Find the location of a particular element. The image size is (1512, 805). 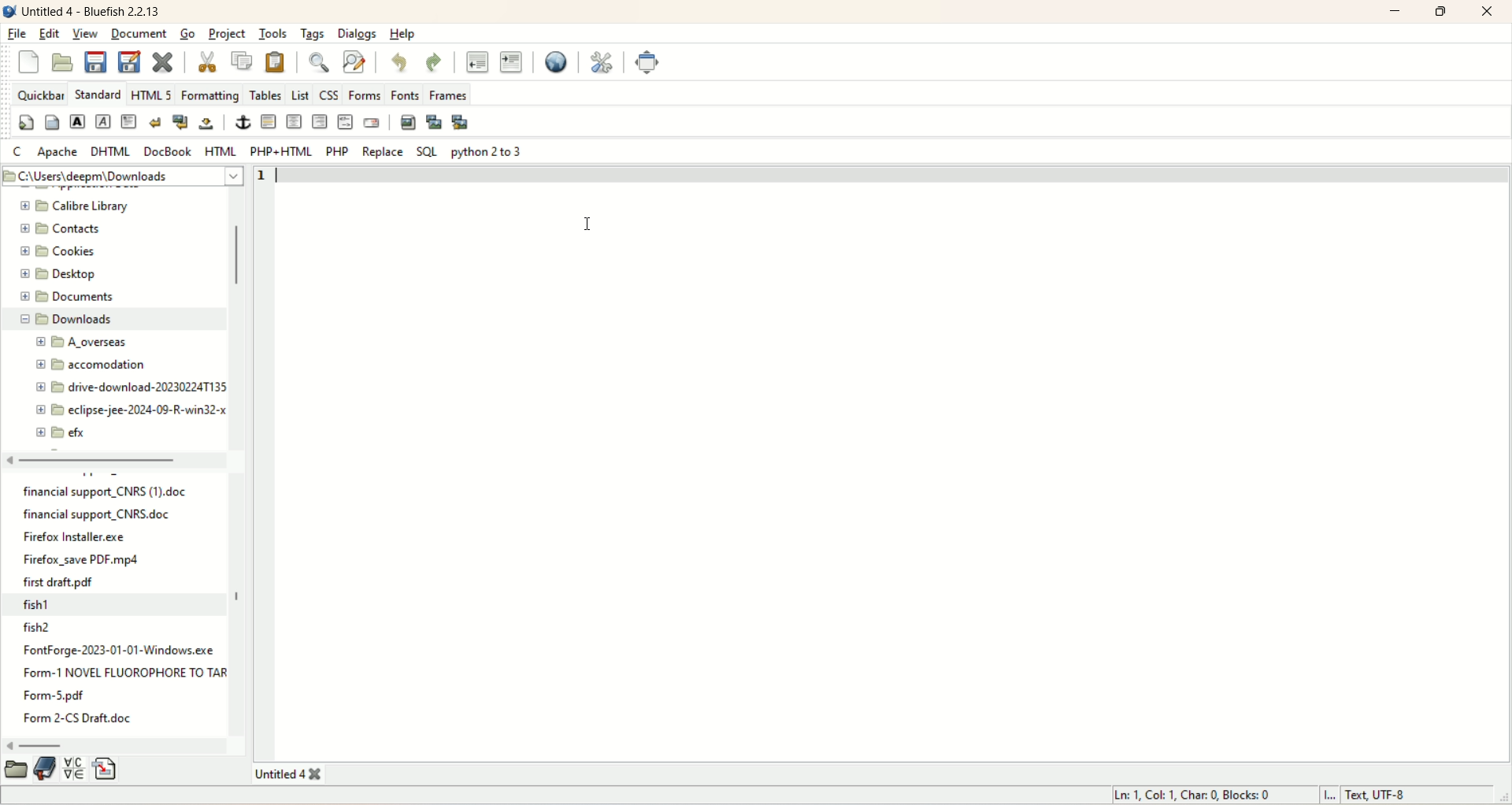

eclipse is located at coordinates (126, 410).